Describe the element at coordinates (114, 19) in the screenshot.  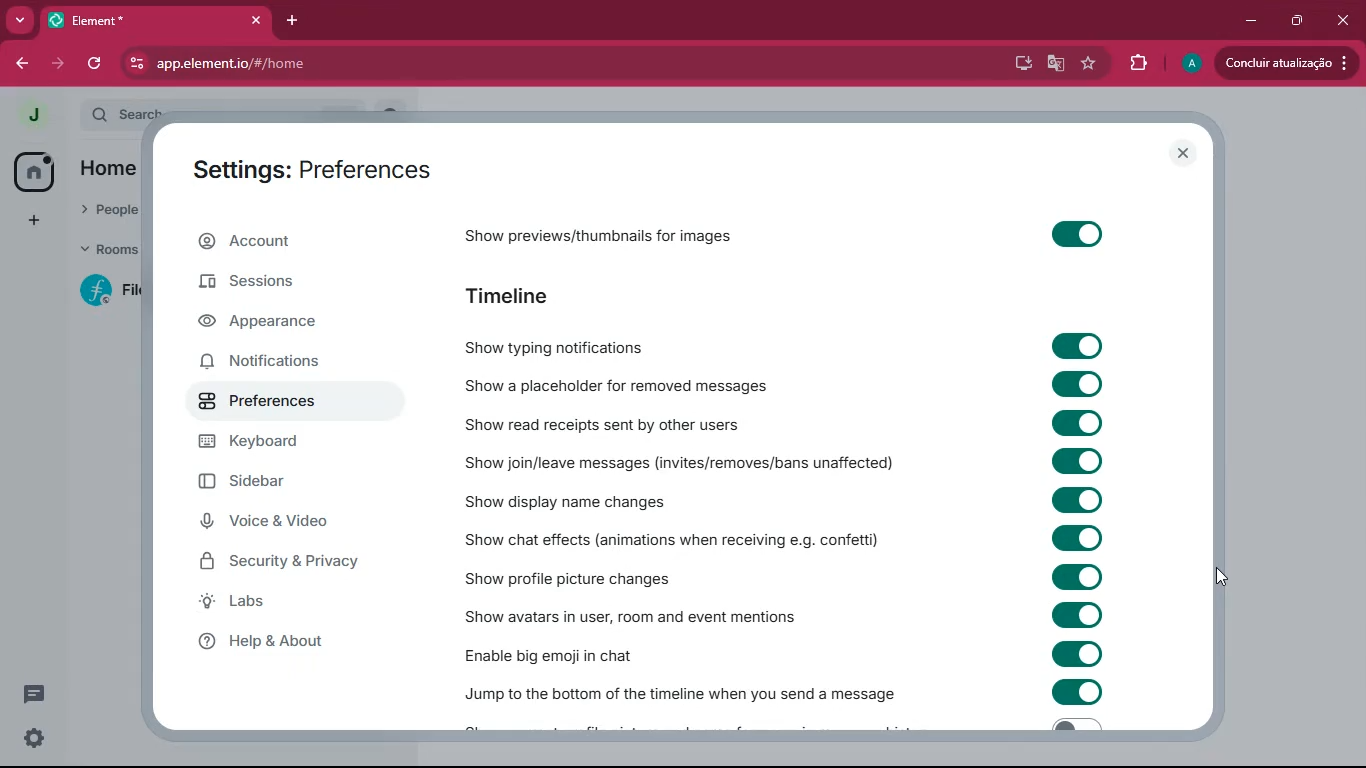
I see `element*` at that location.